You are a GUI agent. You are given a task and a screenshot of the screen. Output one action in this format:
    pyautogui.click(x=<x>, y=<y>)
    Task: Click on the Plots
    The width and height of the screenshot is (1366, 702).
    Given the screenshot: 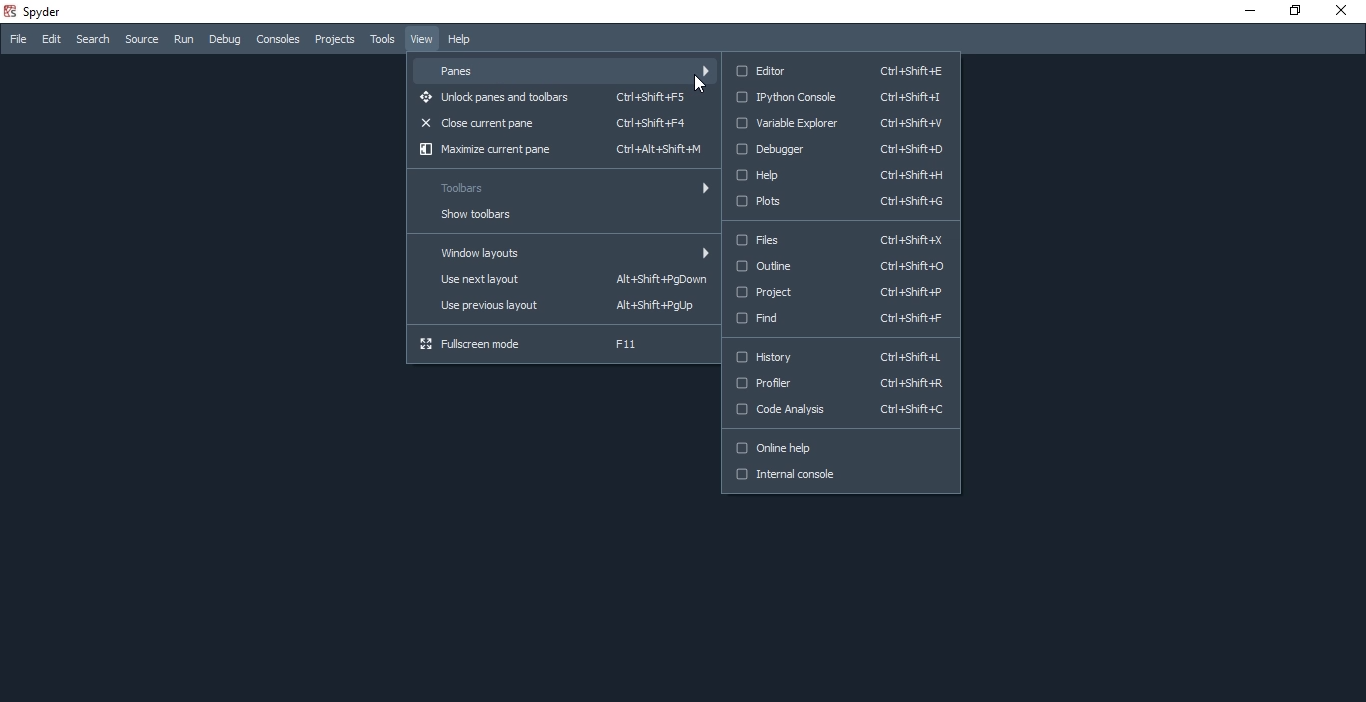 What is the action you would take?
    pyautogui.click(x=839, y=204)
    